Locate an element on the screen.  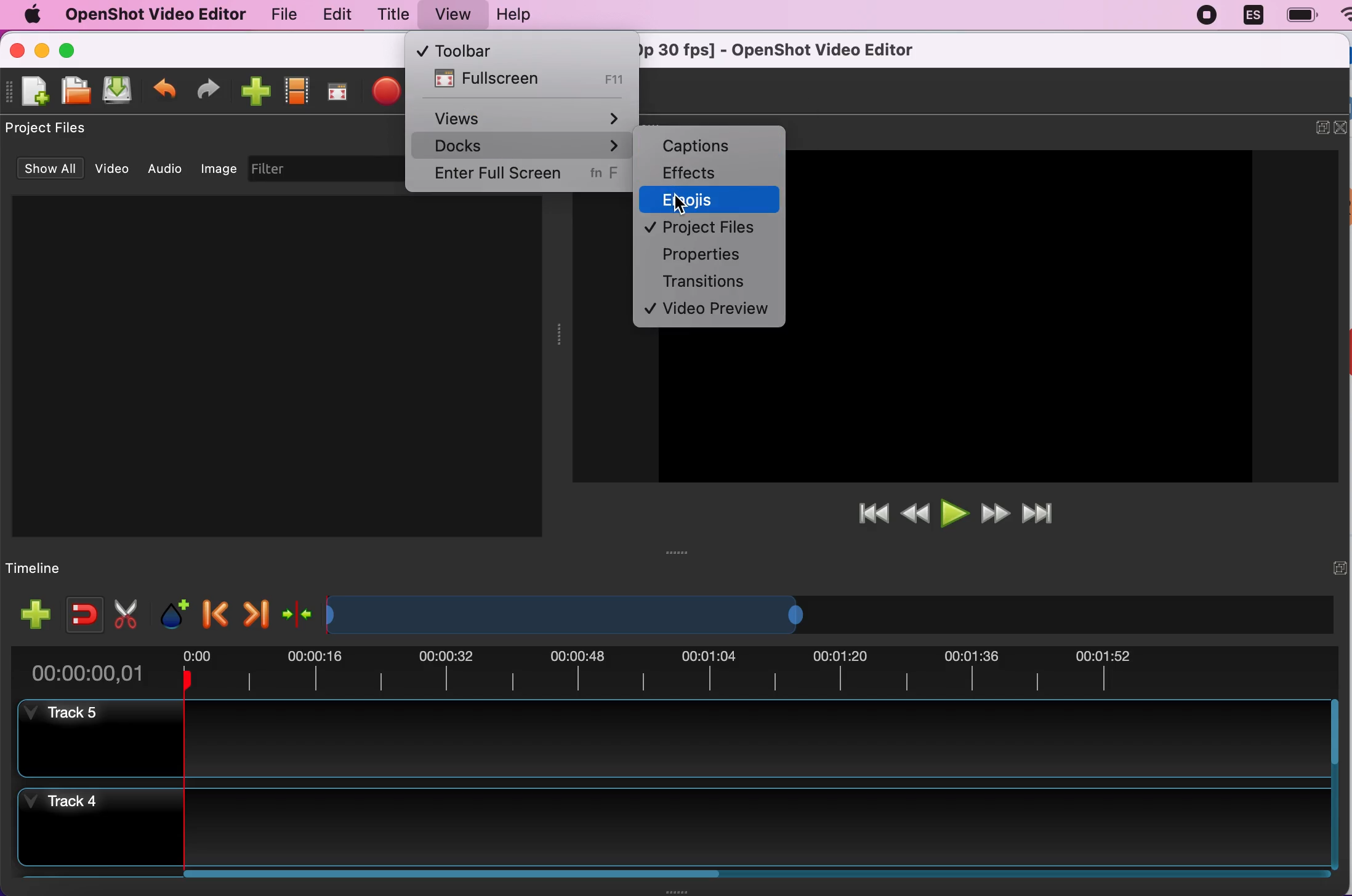
full screen is located at coordinates (337, 93).